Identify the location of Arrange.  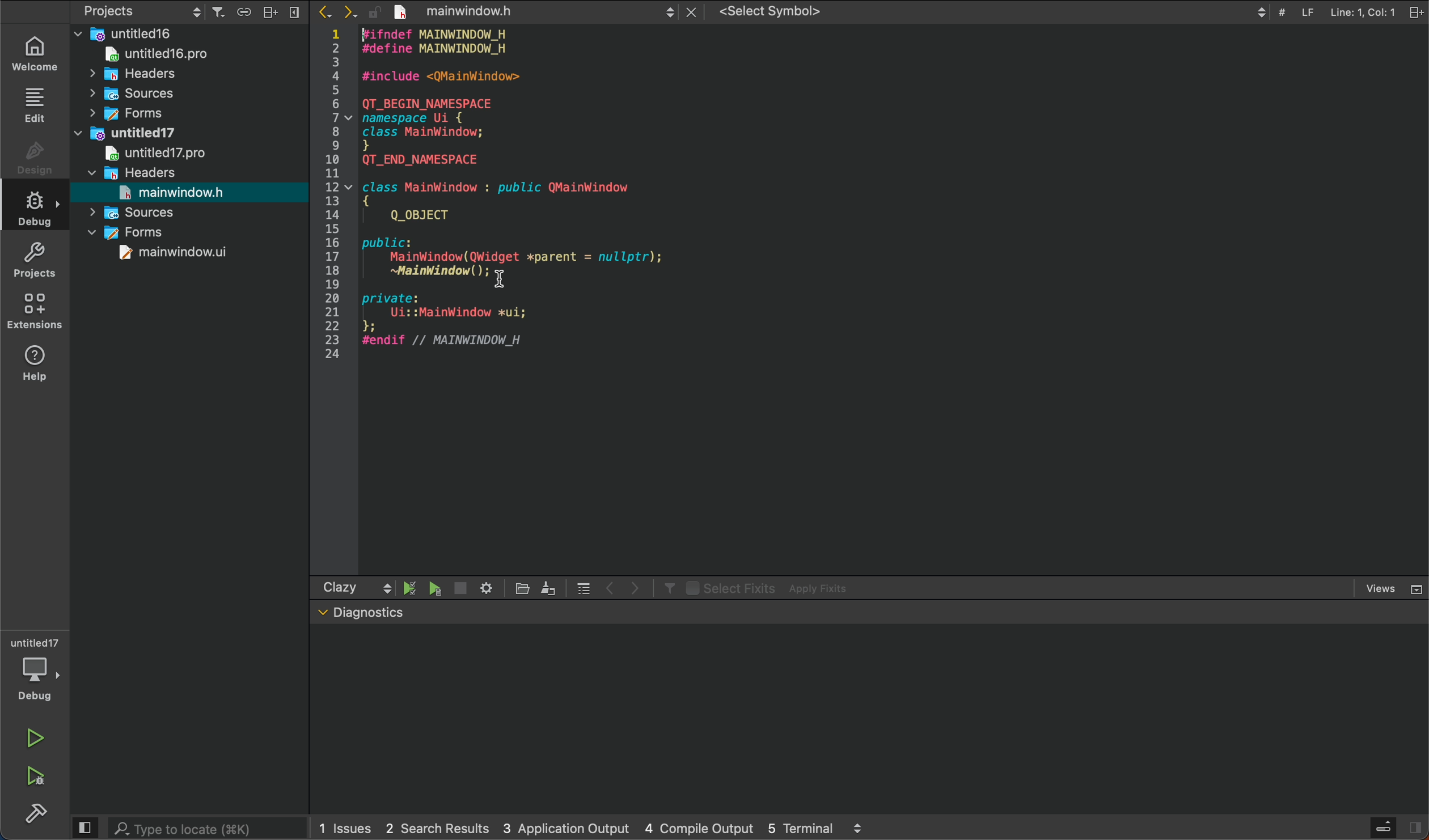
(267, 11).